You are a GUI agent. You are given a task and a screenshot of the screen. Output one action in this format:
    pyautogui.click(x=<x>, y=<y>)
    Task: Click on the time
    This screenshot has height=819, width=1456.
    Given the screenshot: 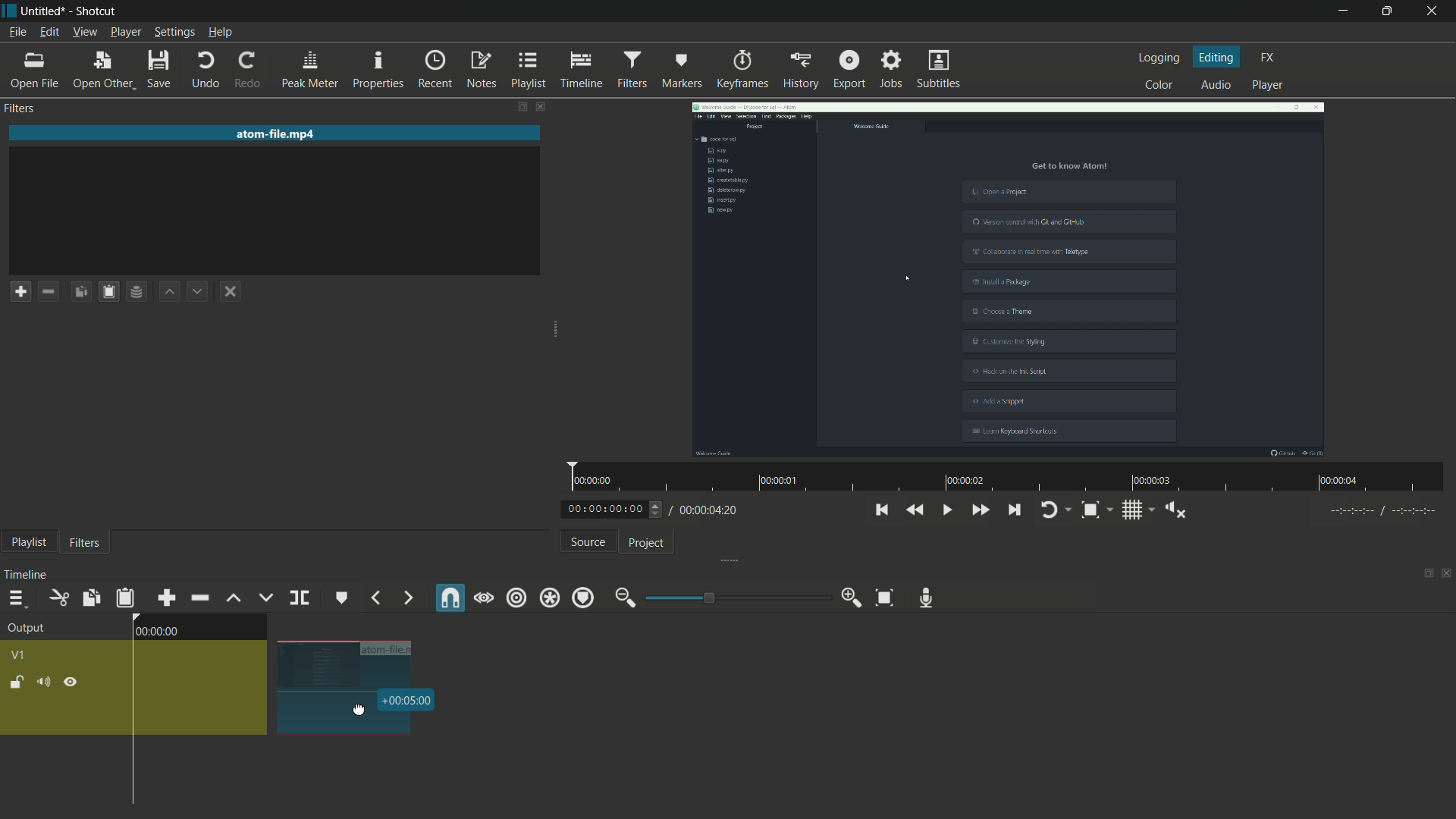 What is the action you would take?
    pyautogui.click(x=1011, y=478)
    